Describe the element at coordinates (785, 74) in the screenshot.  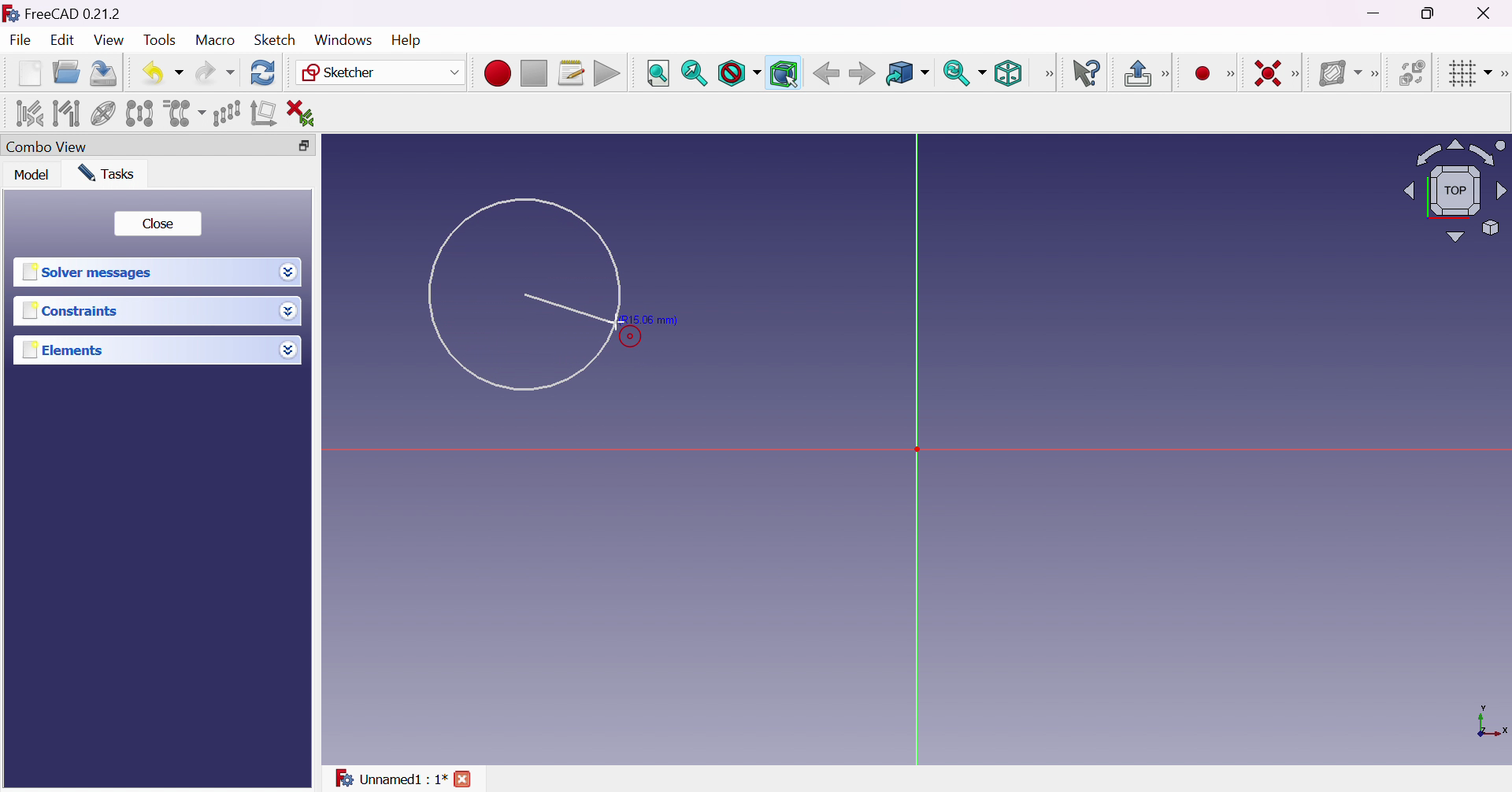
I see `Bounding box` at that location.